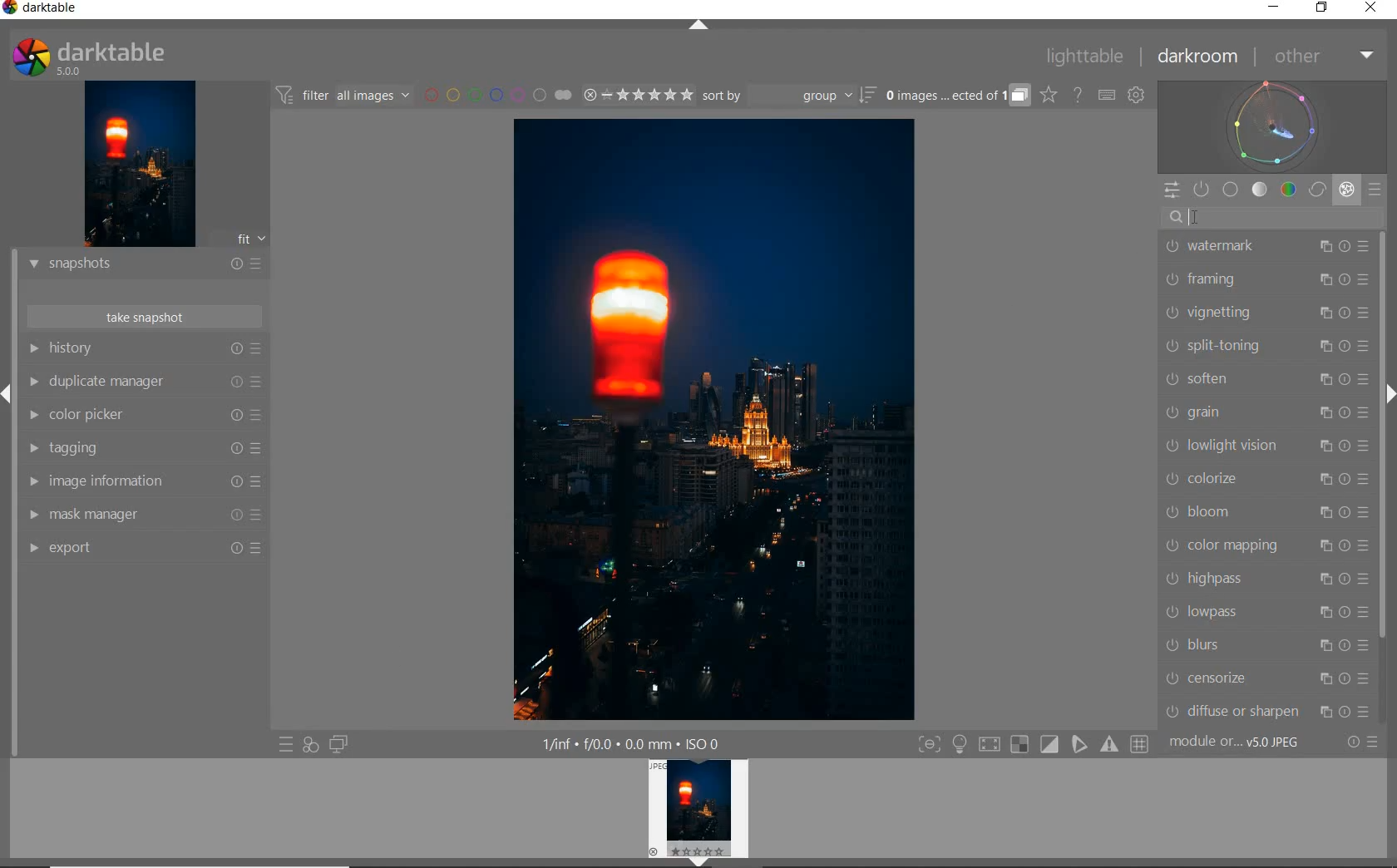 The width and height of the screenshot is (1397, 868). What do you see at coordinates (261, 518) in the screenshot?
I see `Preset and reset` at bounding box center [261, 518].